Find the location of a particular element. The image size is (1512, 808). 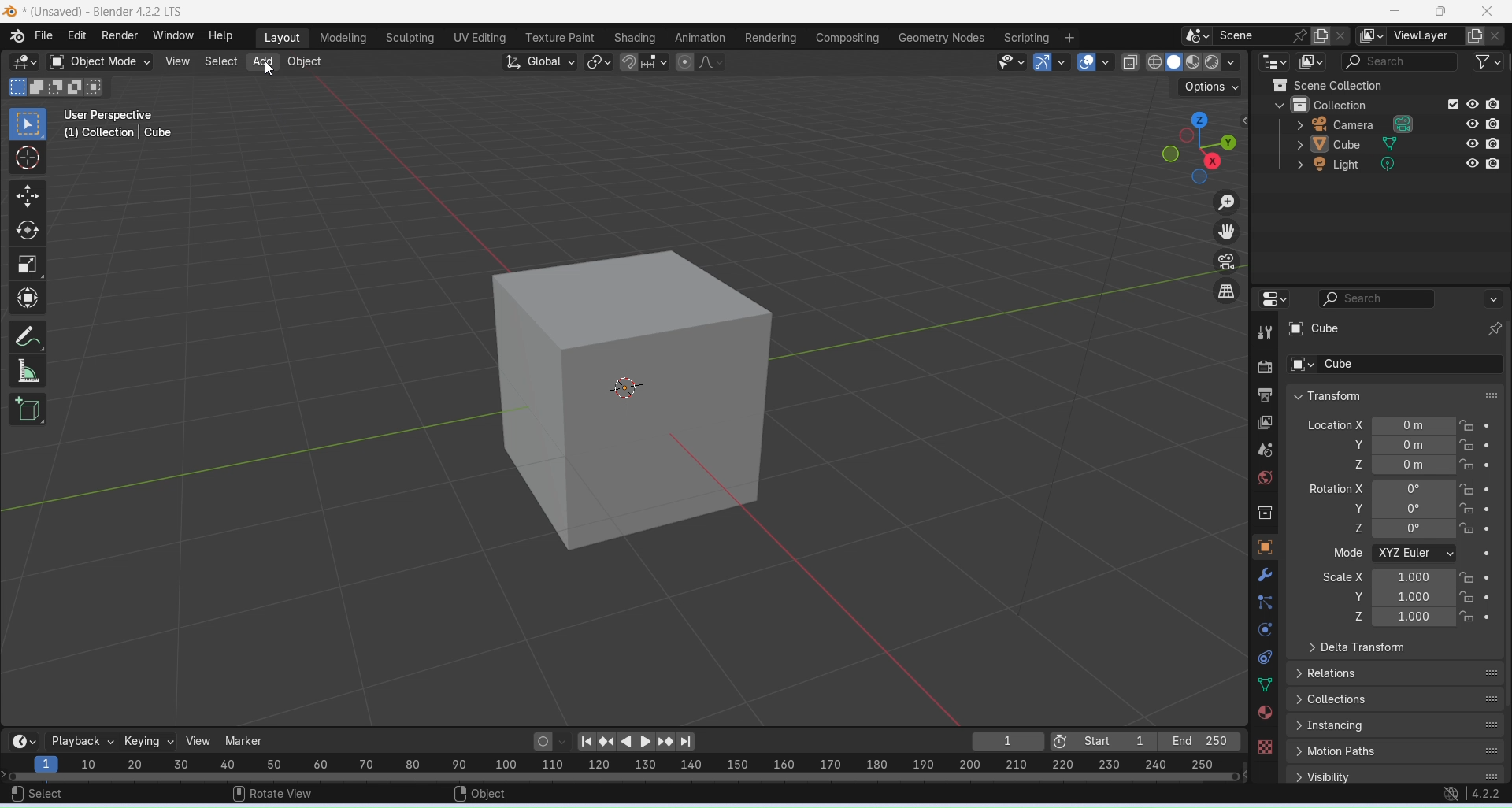

Shading is located at coordinates (635, 39).